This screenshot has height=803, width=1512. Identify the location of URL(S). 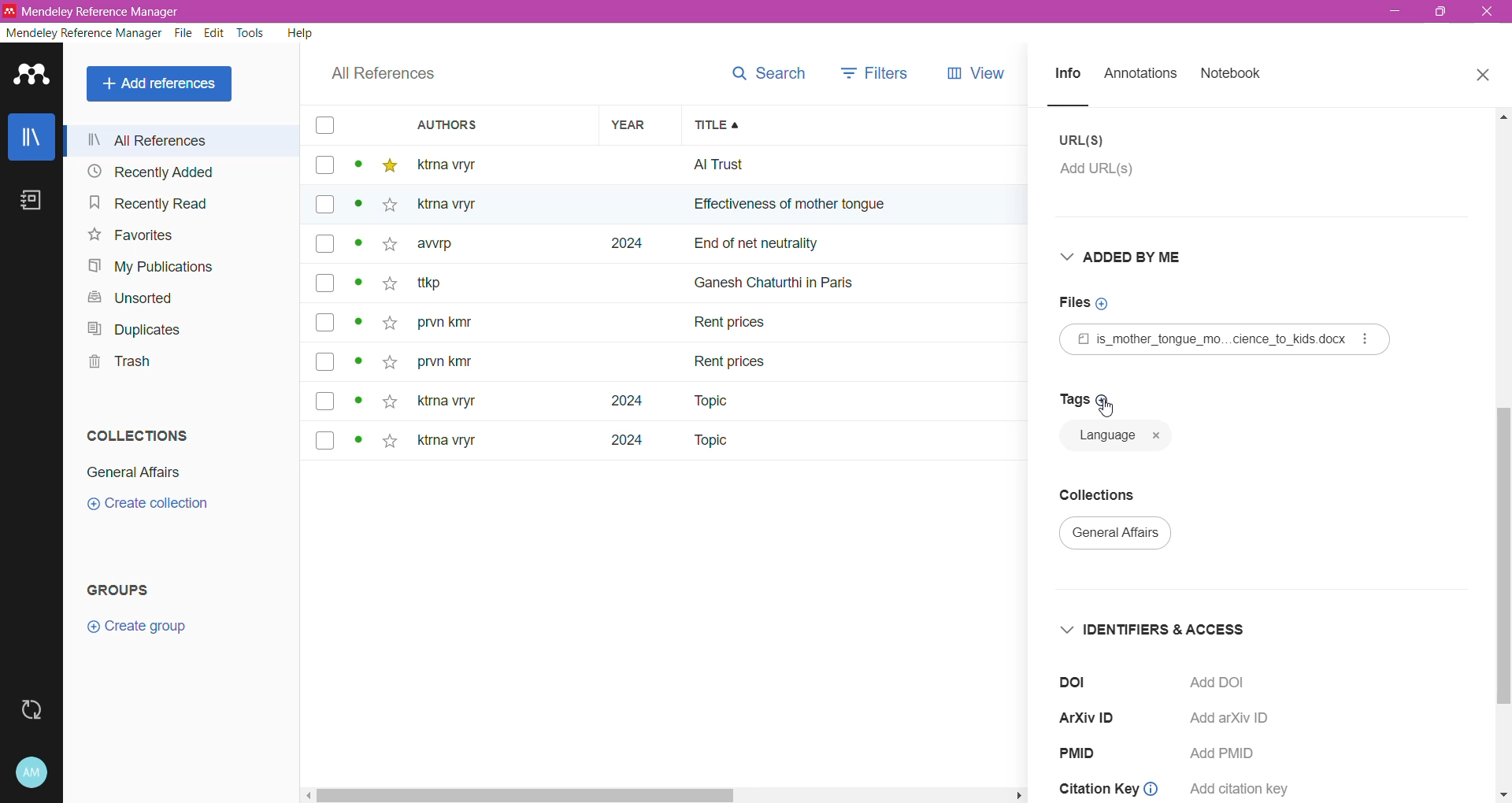
(1084, 140).